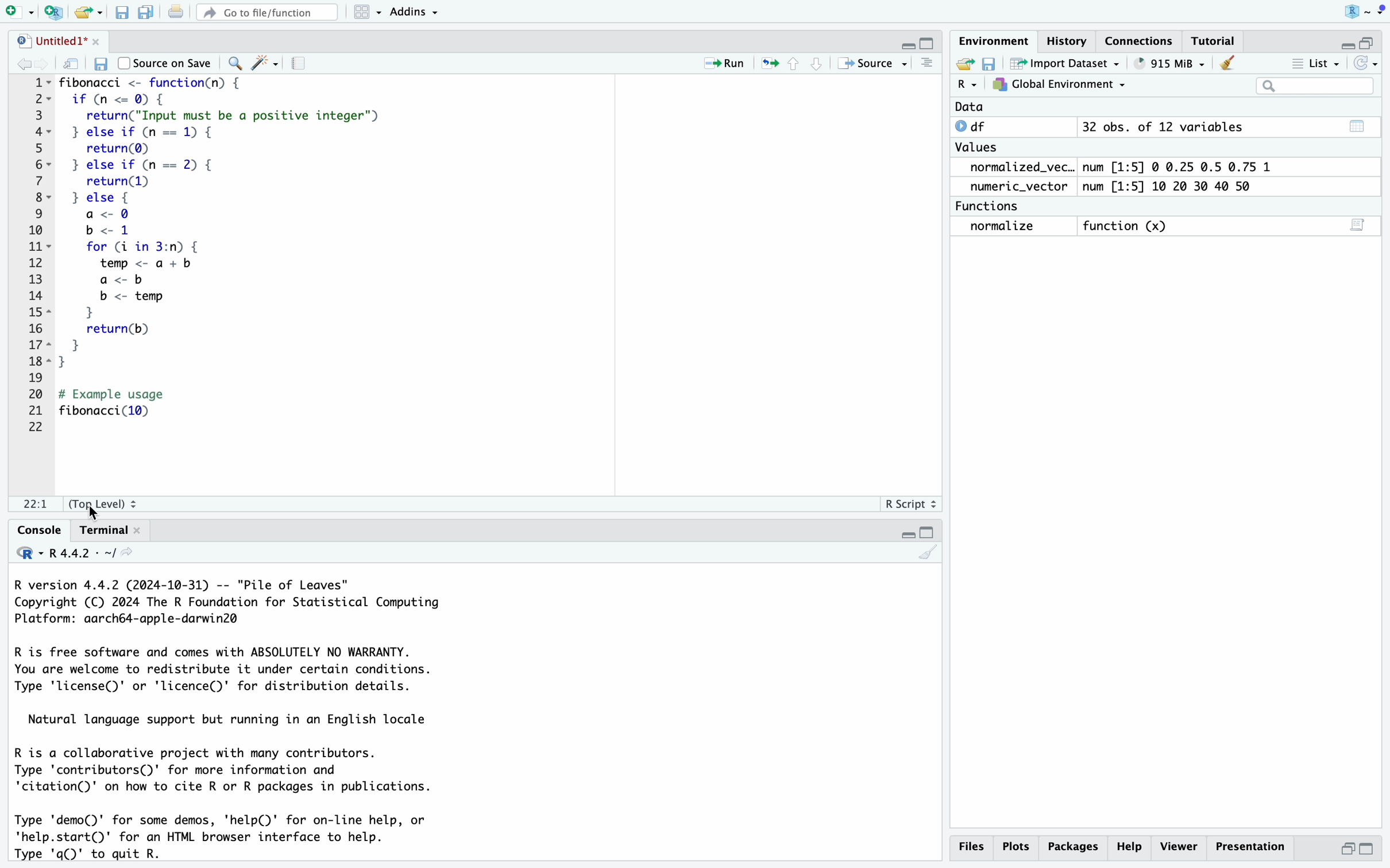  I want to click on function (x), so click(1128, 224).